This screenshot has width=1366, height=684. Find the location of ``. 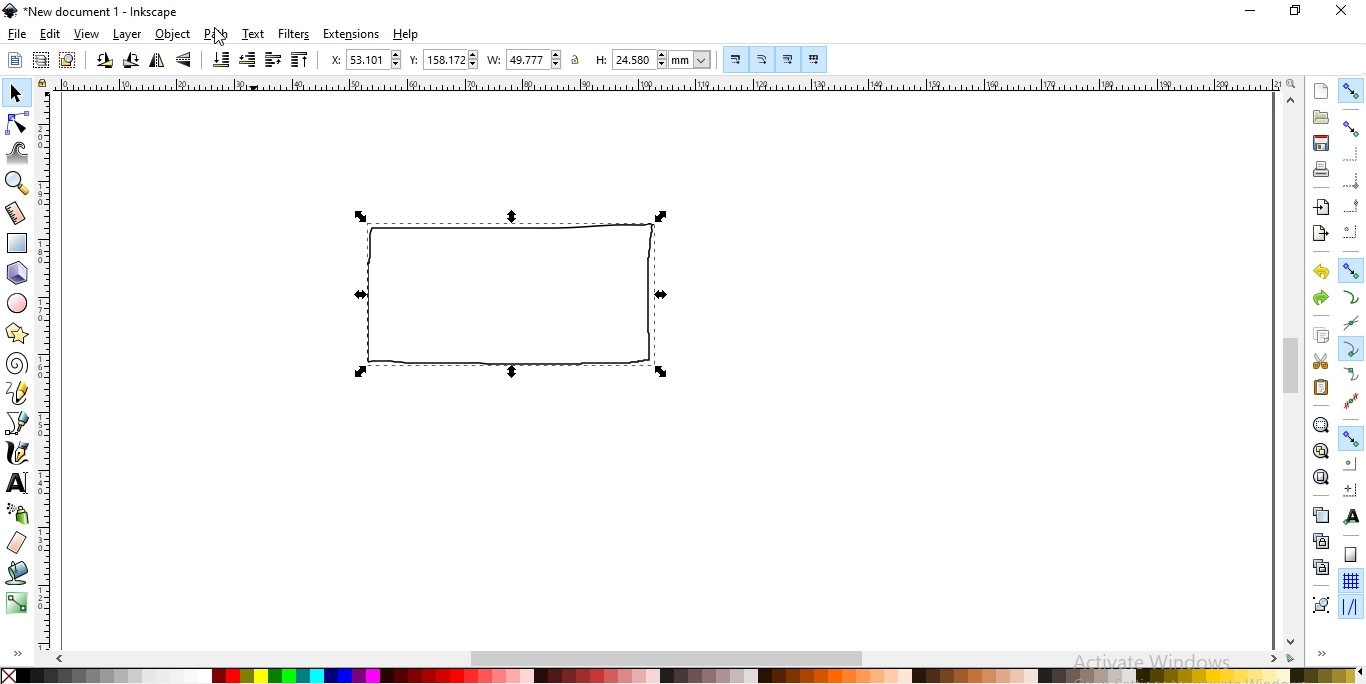

 is located at coordinates (737, 62).